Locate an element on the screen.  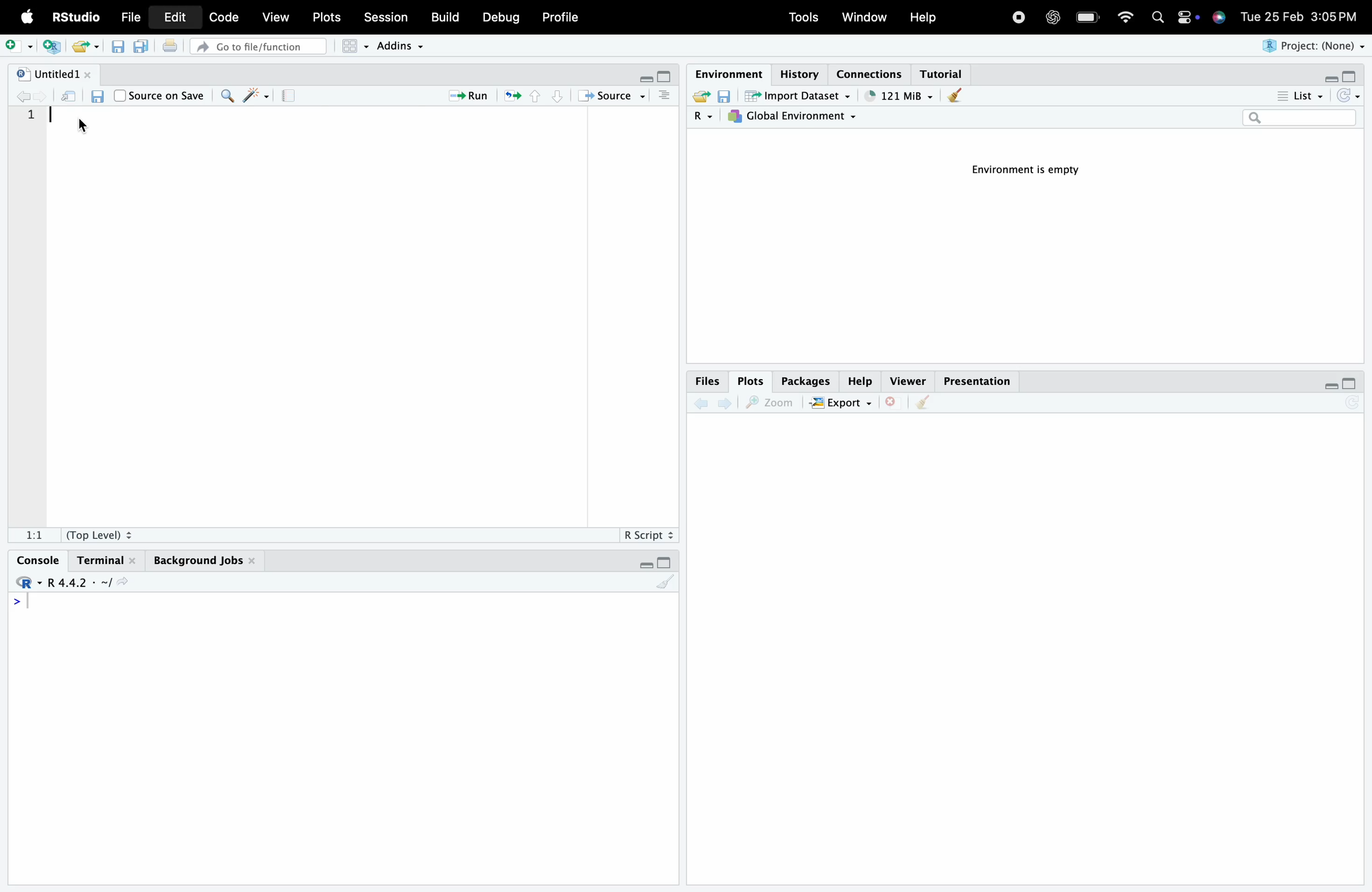
Profile is located at coordinates (560, 18).